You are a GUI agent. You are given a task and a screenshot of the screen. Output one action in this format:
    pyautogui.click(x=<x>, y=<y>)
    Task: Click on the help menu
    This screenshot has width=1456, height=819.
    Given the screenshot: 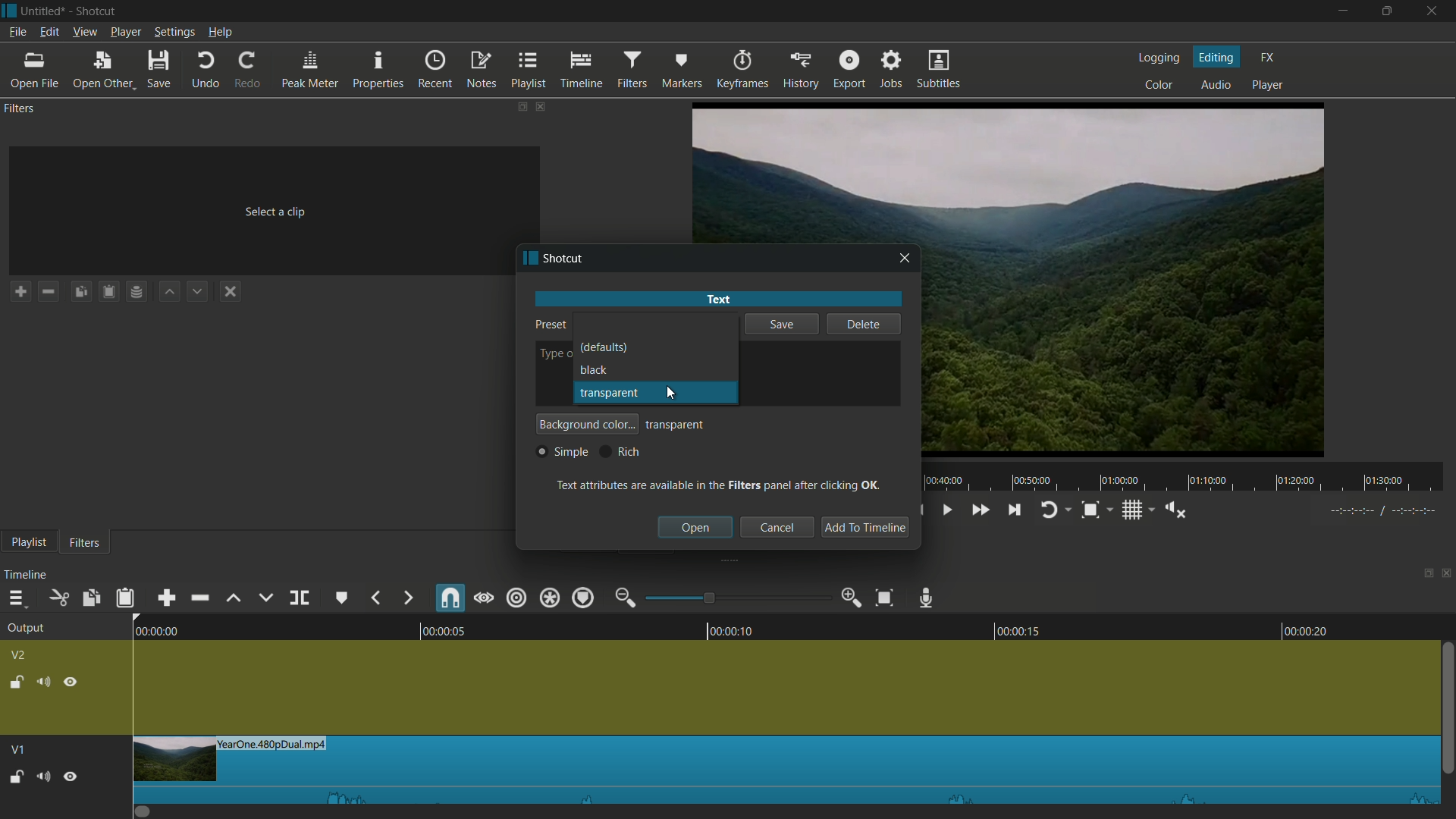 What is the action you would take?
    pyautogui.click(x=220, y=32)
    